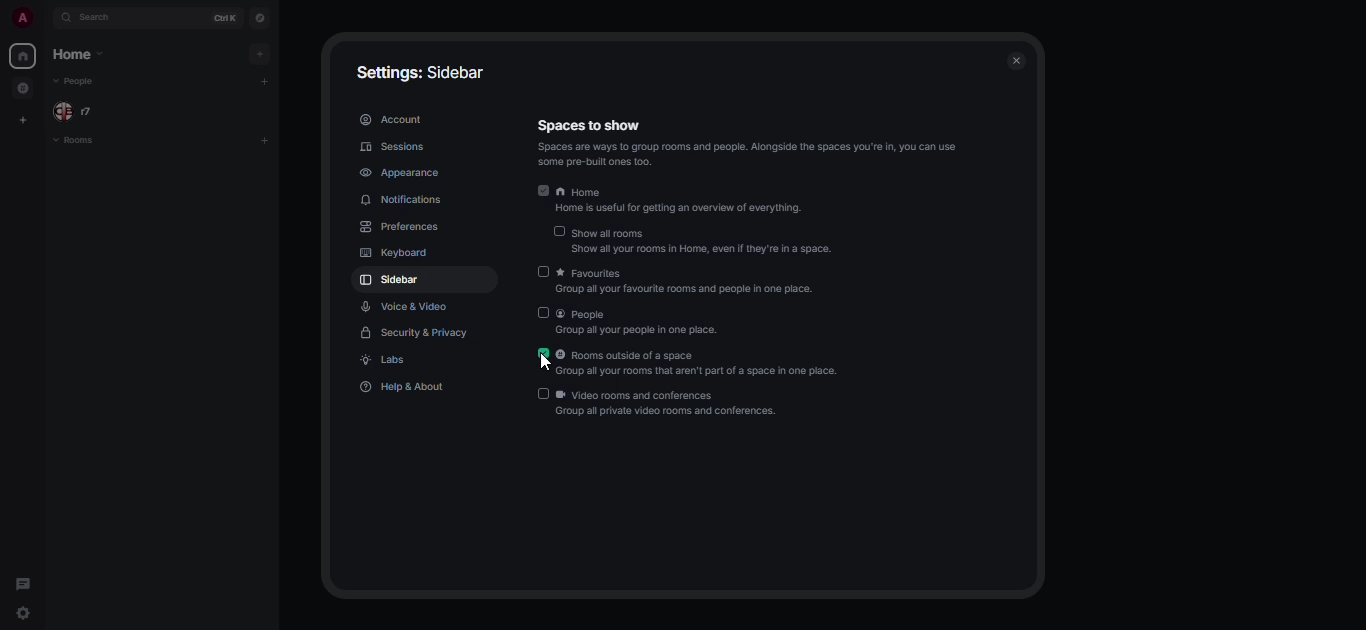 This screenshot has height=630, width=1366. Describe the element at coordinates (407, 306) in the screenshot. I see `voice & video` at that location.